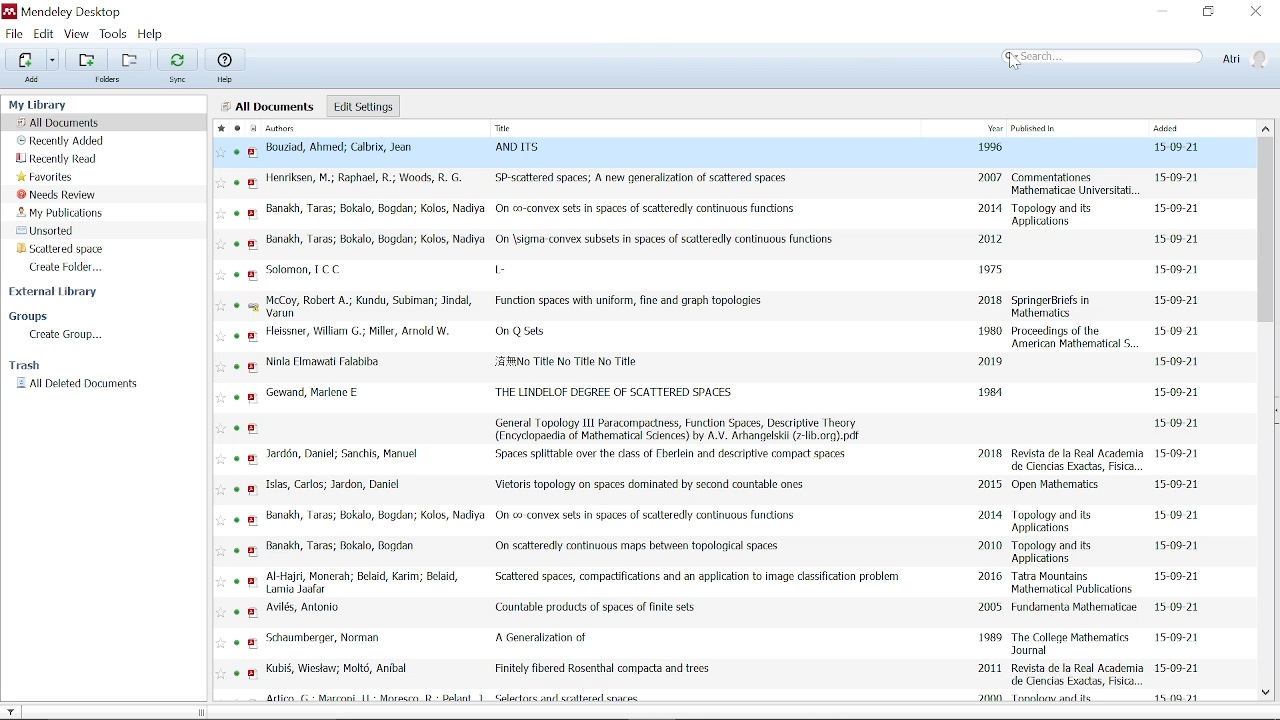 The width and height of the screenshot is (1280, 720). Describe the element at coordinates (15, 33) in the screenshot. I see `File` at that location.